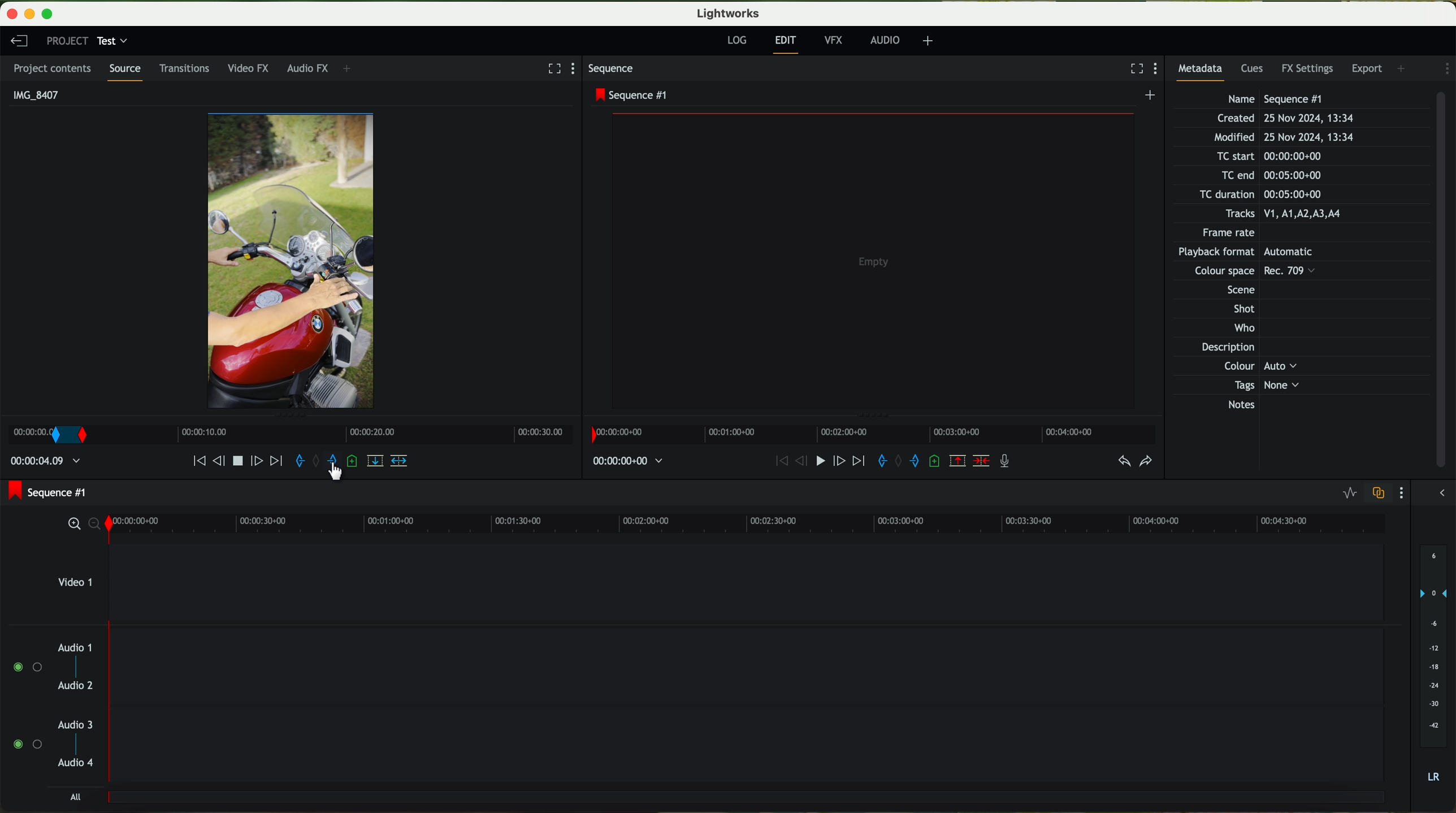 This screenshot has width=1456, height=813. Describe the element at coordinates (937, 462) in the screenshot. I see `add a cue at the current position` at that location.